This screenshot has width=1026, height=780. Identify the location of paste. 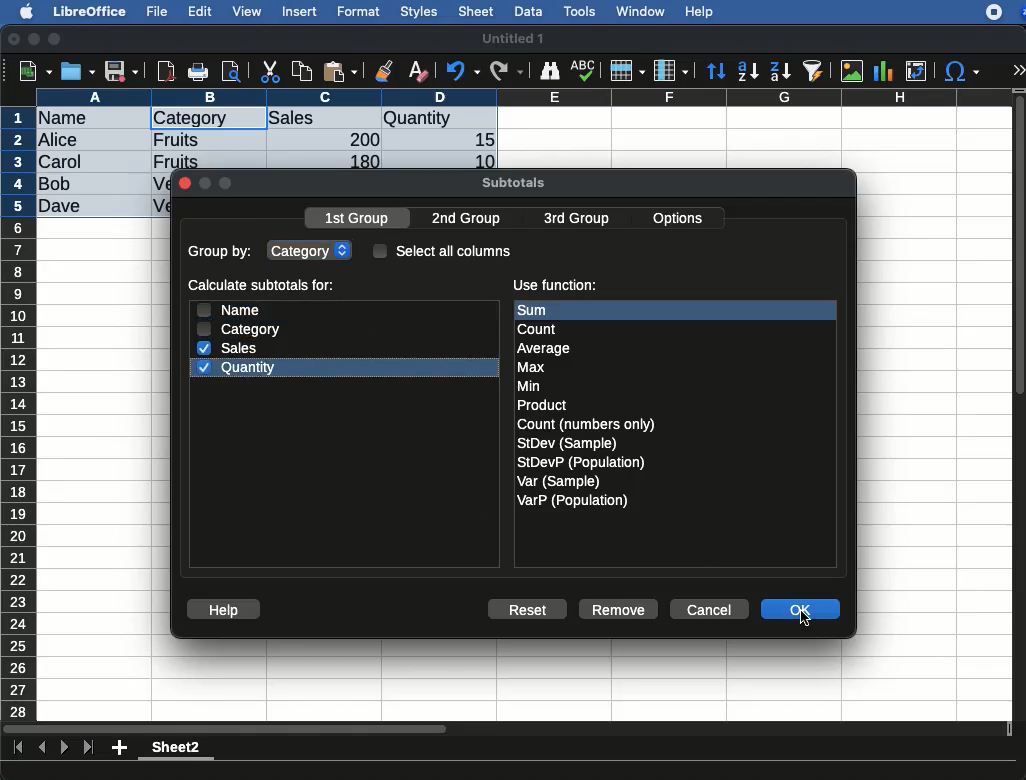
(339, 71).